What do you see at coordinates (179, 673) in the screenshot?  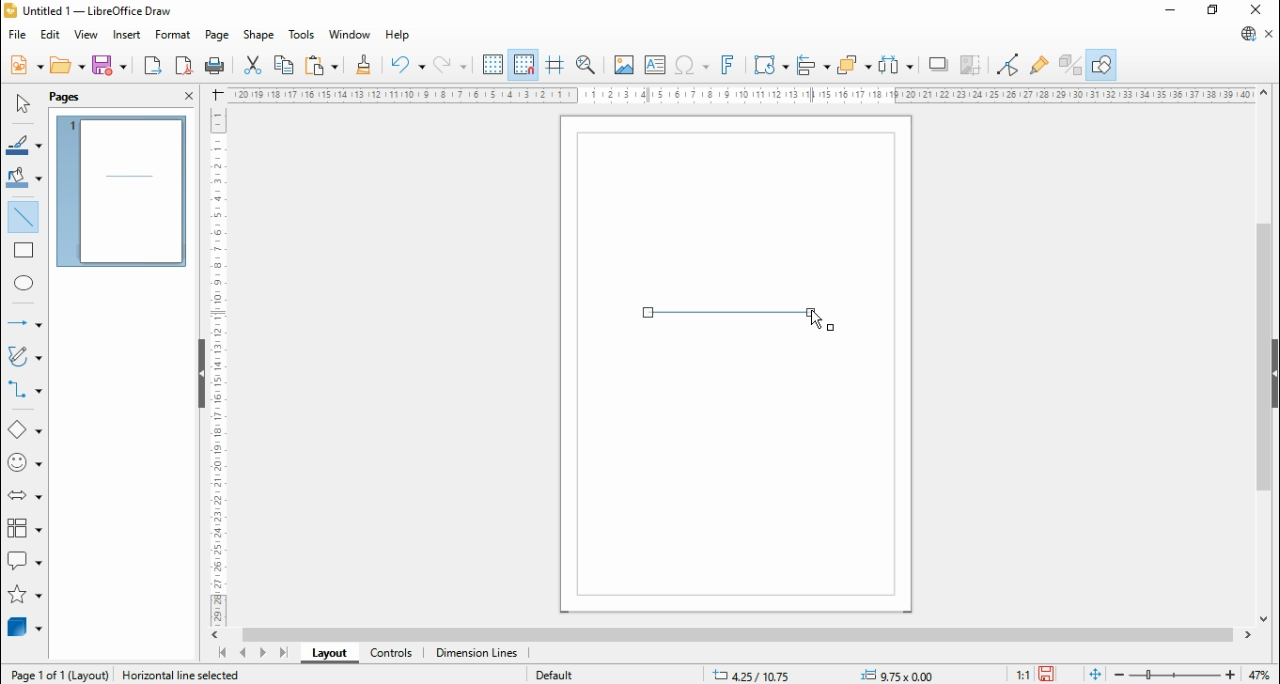 I see `` at bounding box center [179, 673].